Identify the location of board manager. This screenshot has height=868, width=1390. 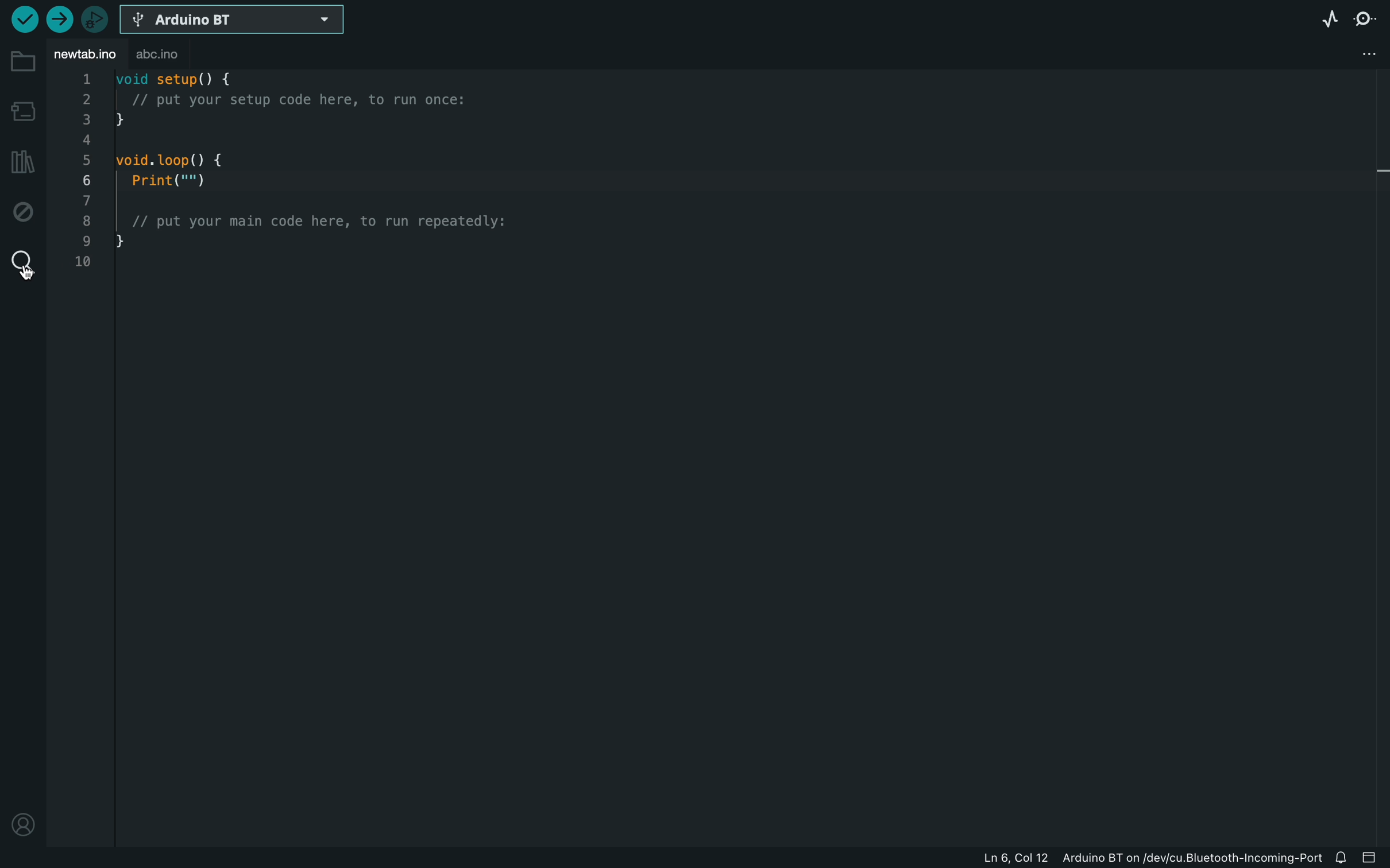
(24, 111).